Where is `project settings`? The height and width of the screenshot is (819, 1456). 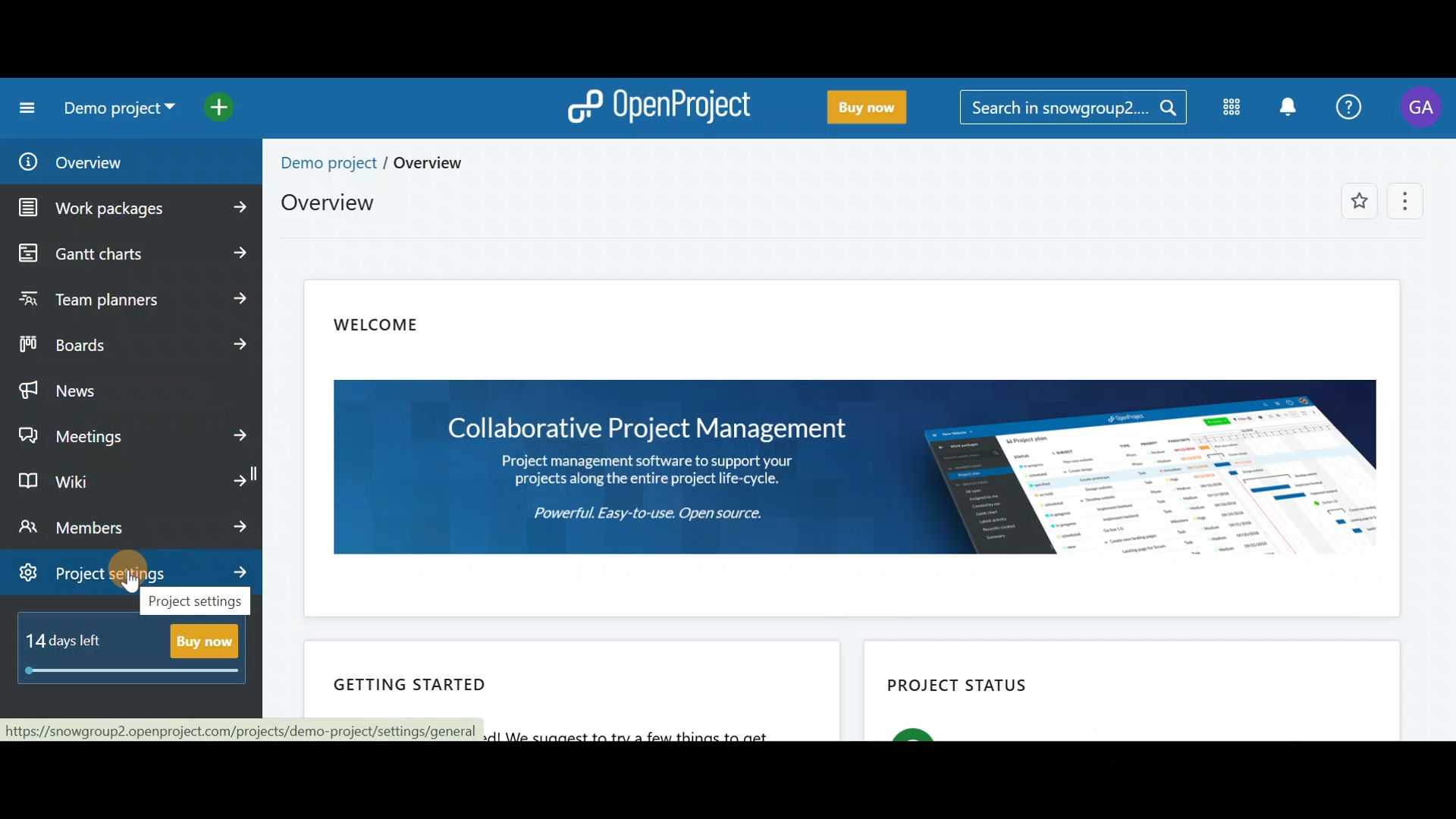 project settings is located at coordinates (196, 600).